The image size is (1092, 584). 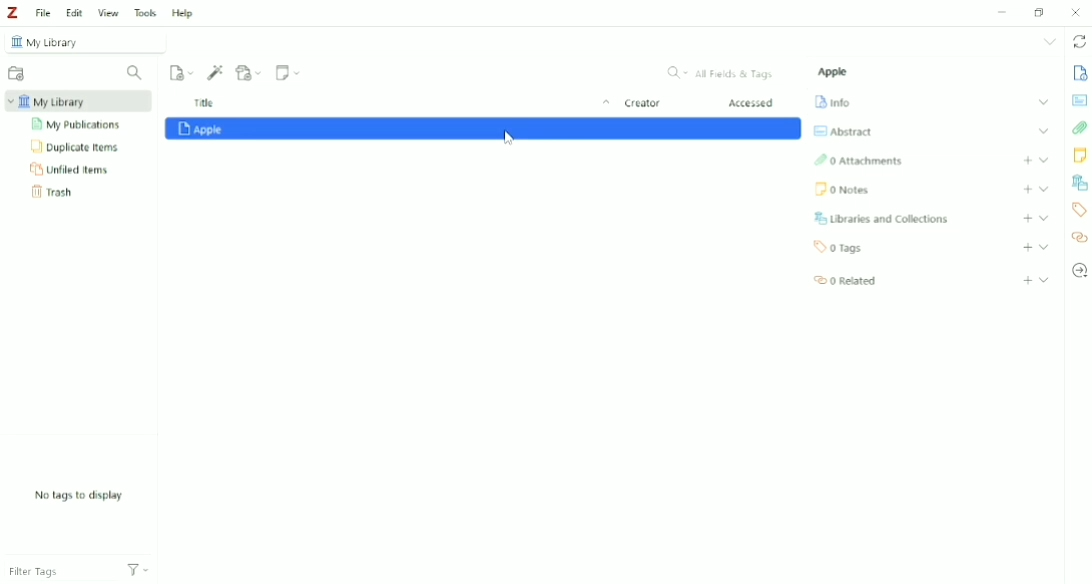 I want to click on Logo, so click(x=15, y=13).